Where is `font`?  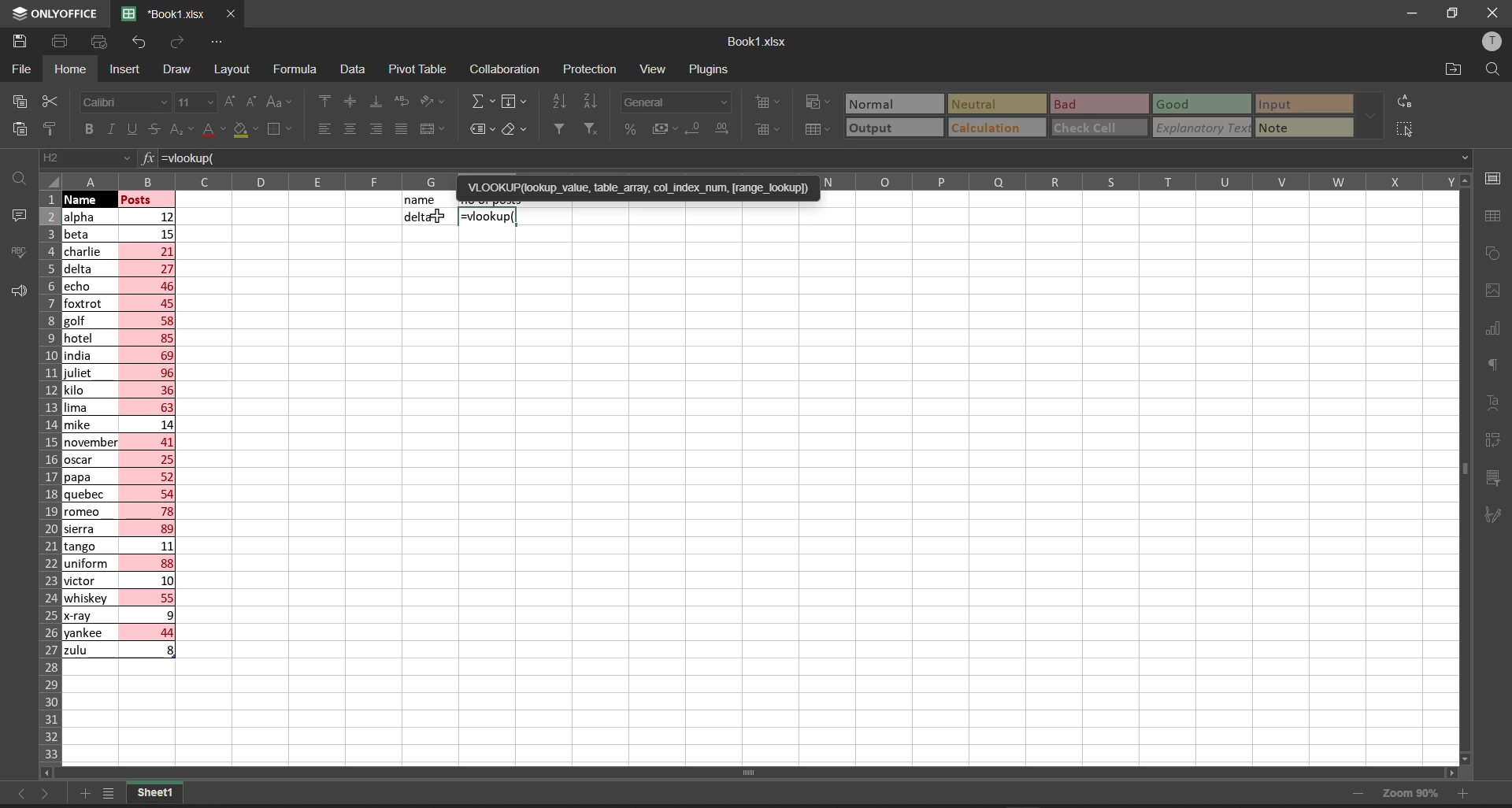 font is located at coordinates (124, 101).